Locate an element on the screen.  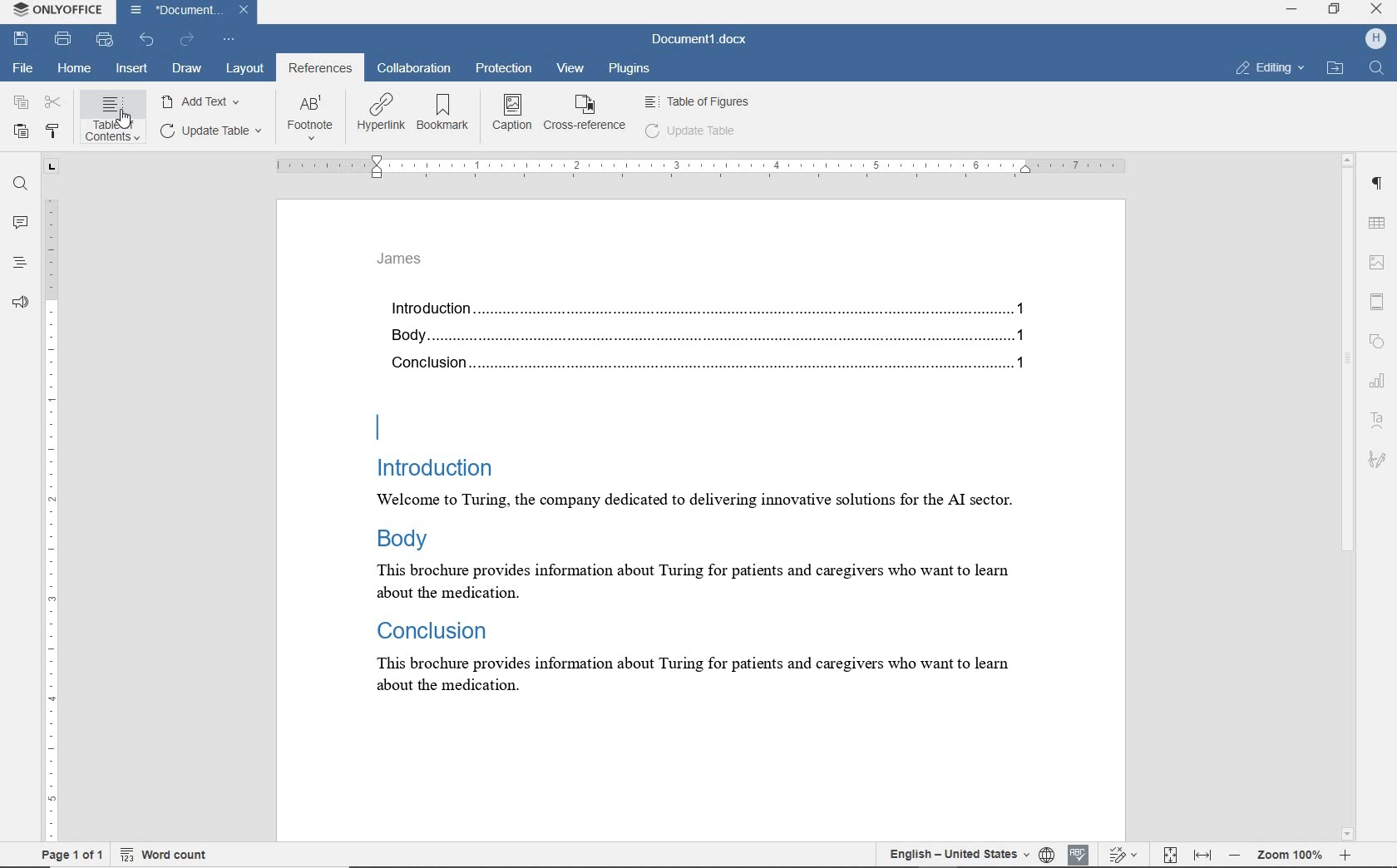
footnote is located at coordinates (313, 119).